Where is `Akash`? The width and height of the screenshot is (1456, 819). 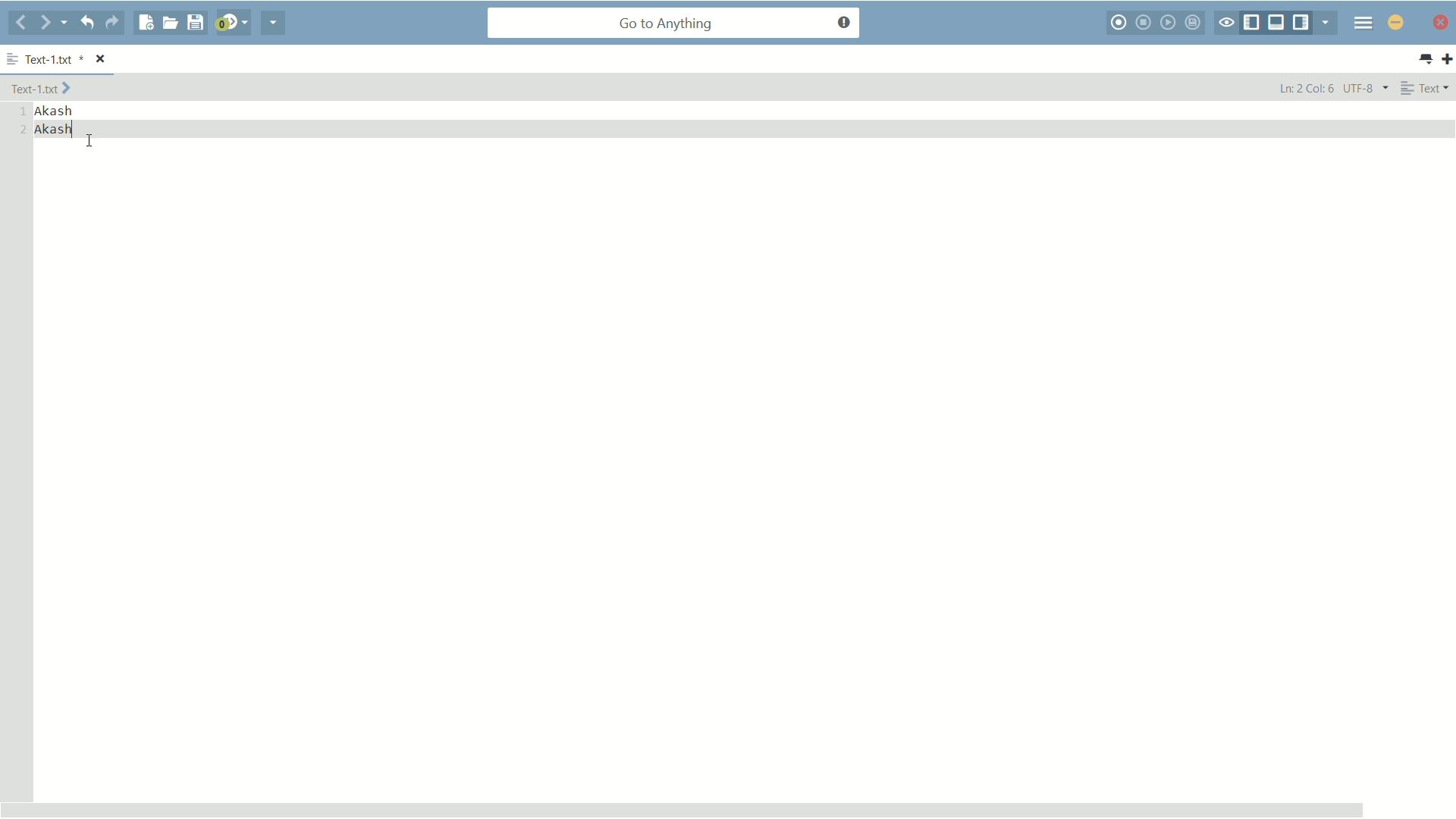
Akash is located at coordinates (55, 110).